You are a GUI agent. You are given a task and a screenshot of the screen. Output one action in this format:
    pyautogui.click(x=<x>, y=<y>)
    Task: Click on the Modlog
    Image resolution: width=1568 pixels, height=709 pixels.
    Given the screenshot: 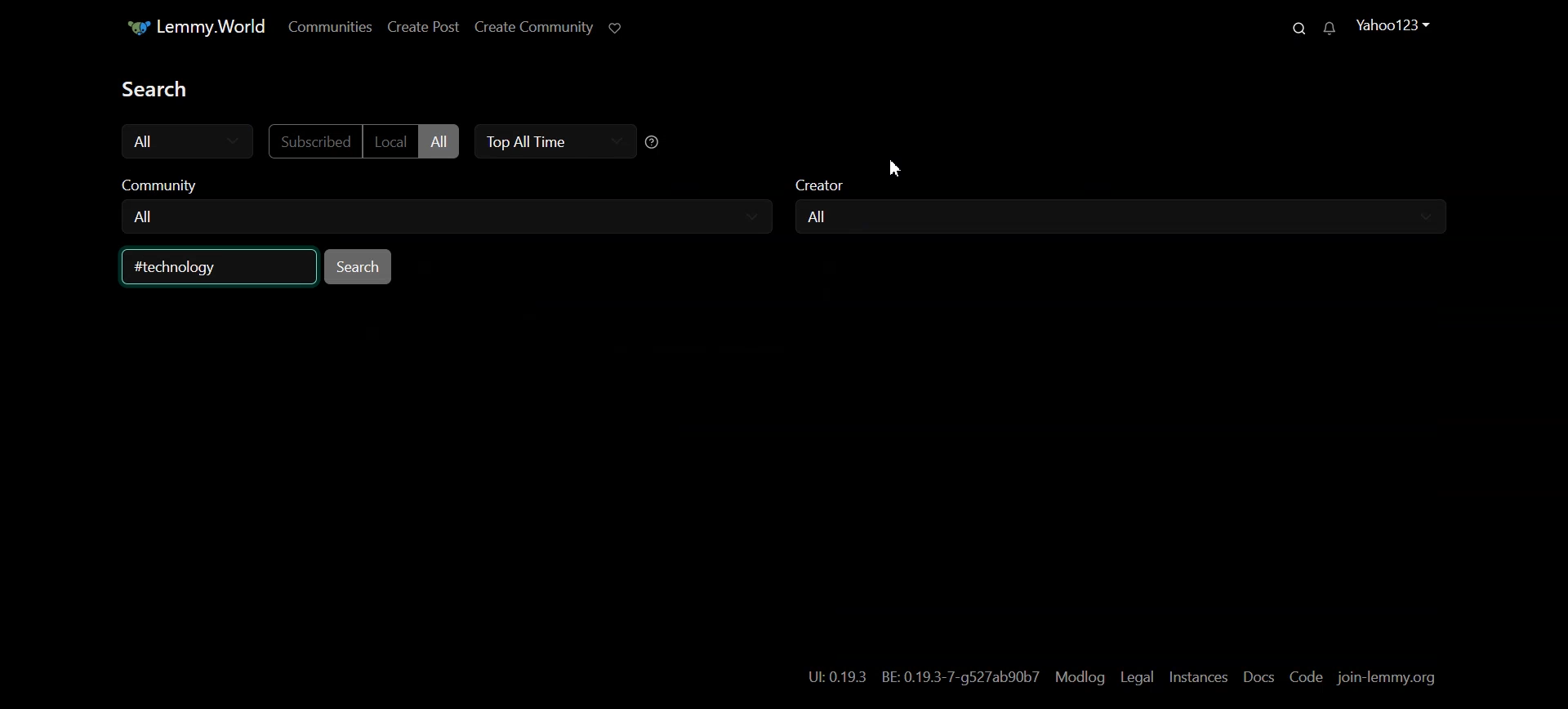 What is the action you would take?
    pyautogui.click(x=1079, y=678)
    